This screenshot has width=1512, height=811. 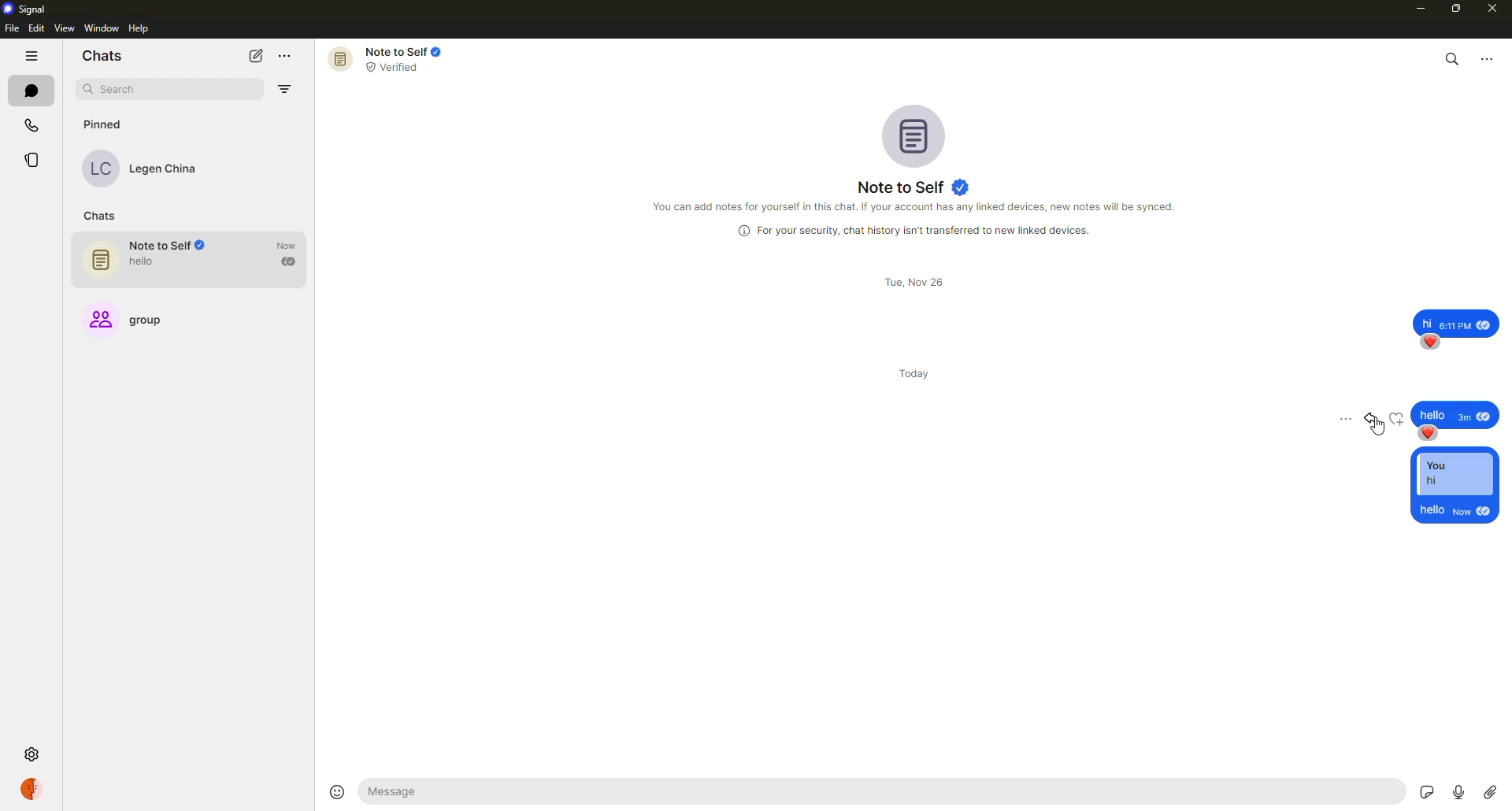 What do you see at coordinates (1452, 10) in the screenshot?
I see `maximize` at bounding box center [1452, 10].